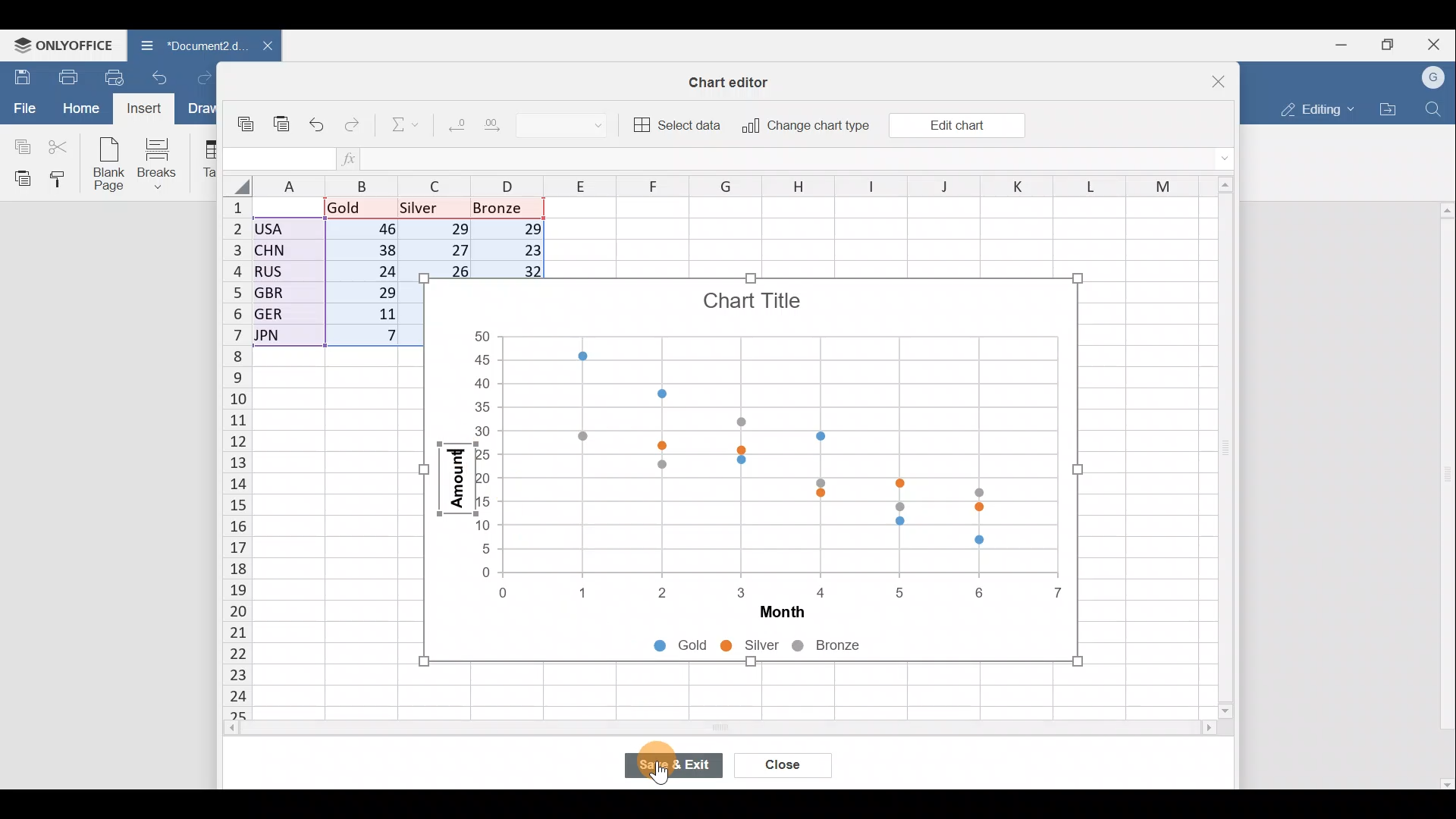 The height and width of the screenshot is (819, 1456). What do you see at coordinates (701, 187) in the screenshot?
I see `Columns` at bounding box center [701, 187].